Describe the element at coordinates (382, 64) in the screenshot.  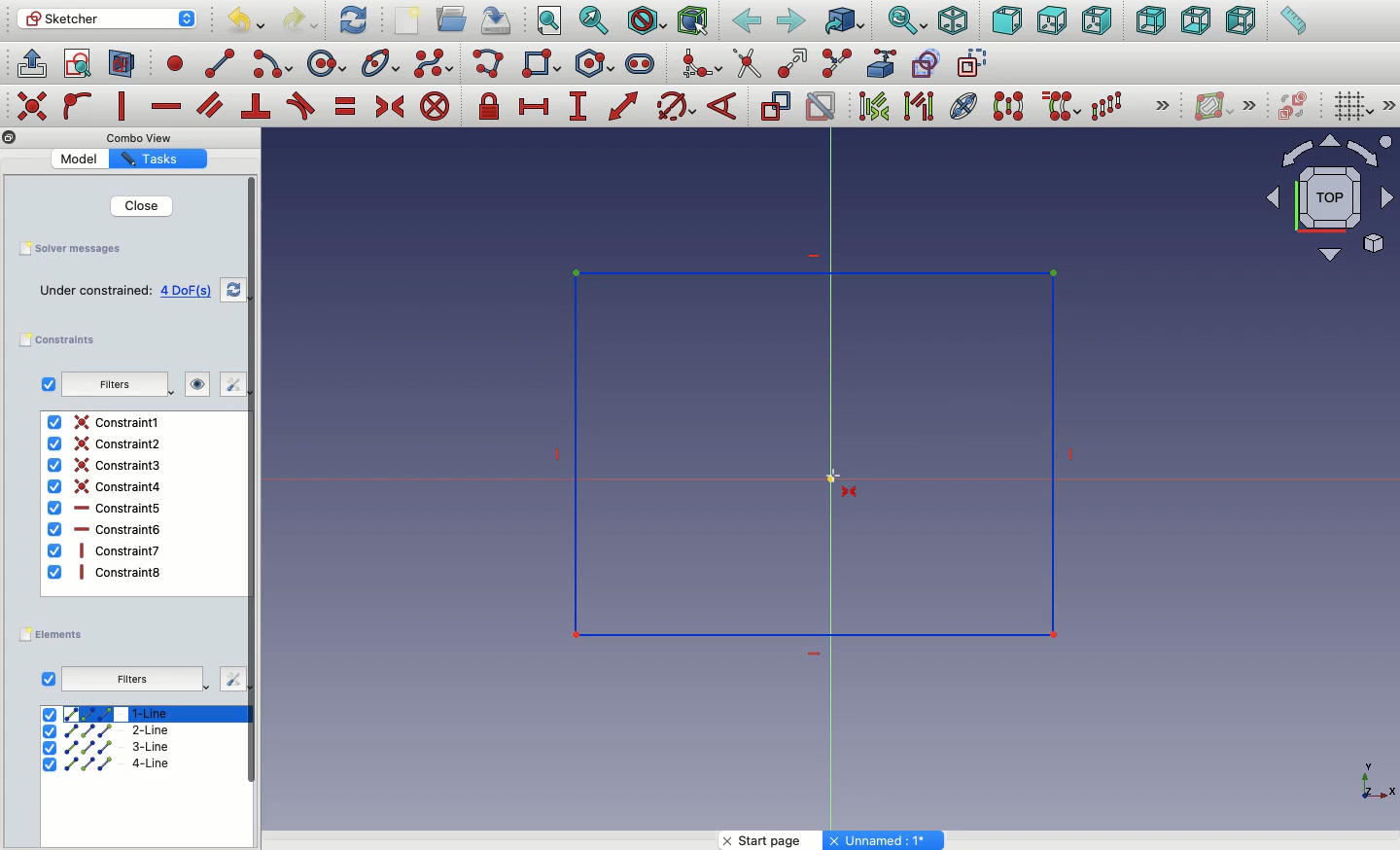
I see `Conic` at that location.